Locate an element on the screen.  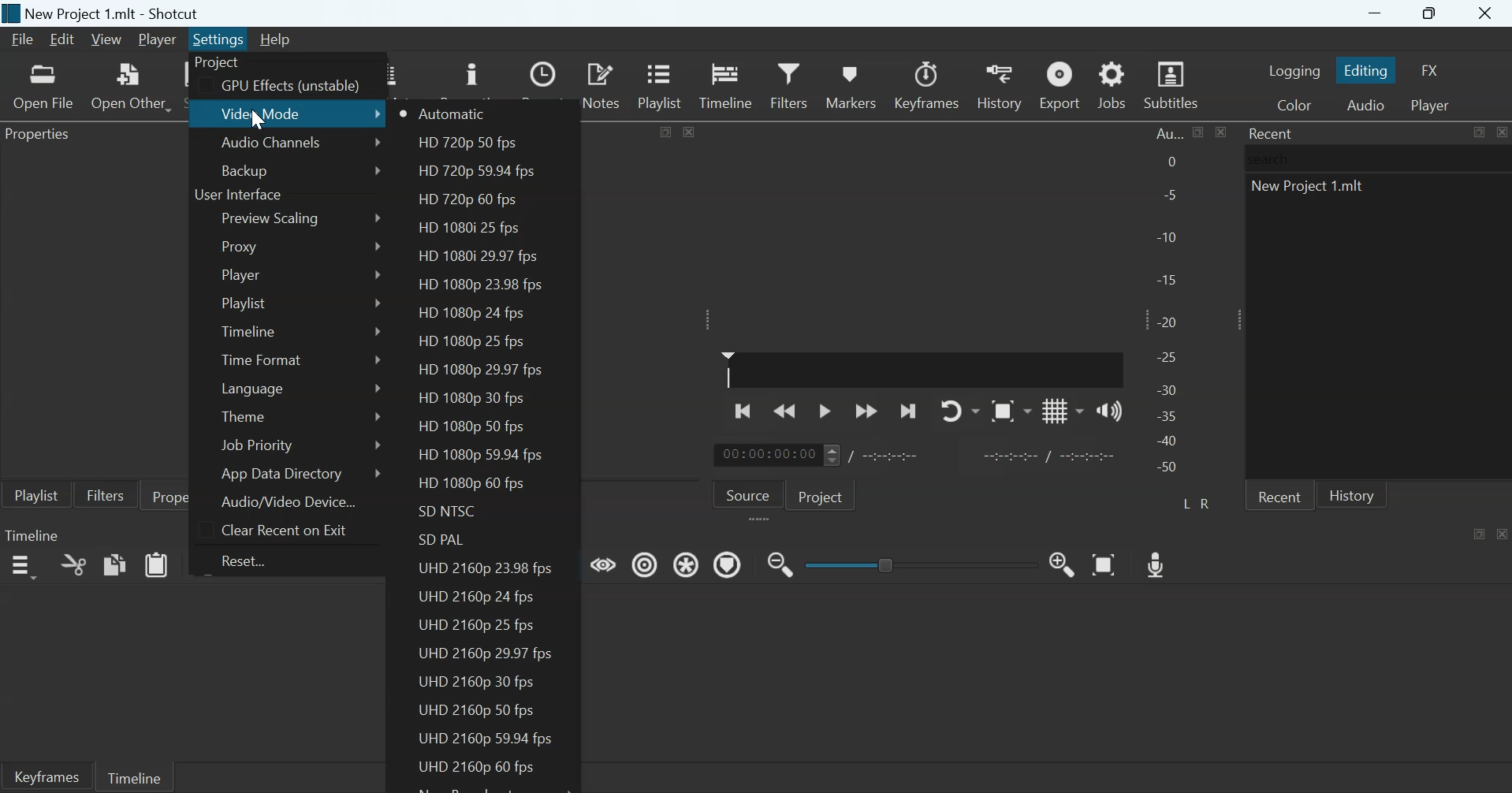
Recent is located at coordinates (546, 85).